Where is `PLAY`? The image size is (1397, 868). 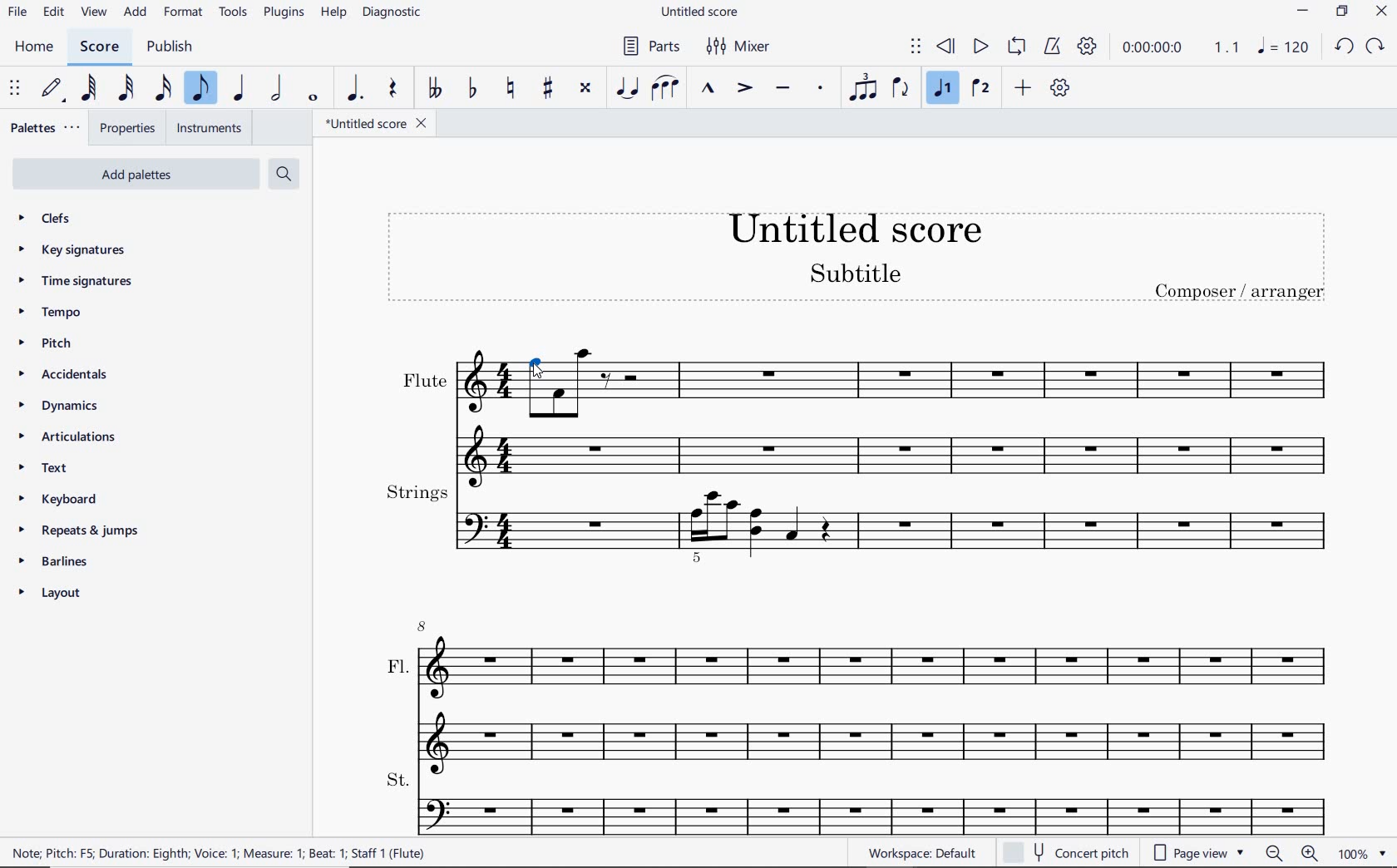 PLAY is located at coordinates (980, 46).